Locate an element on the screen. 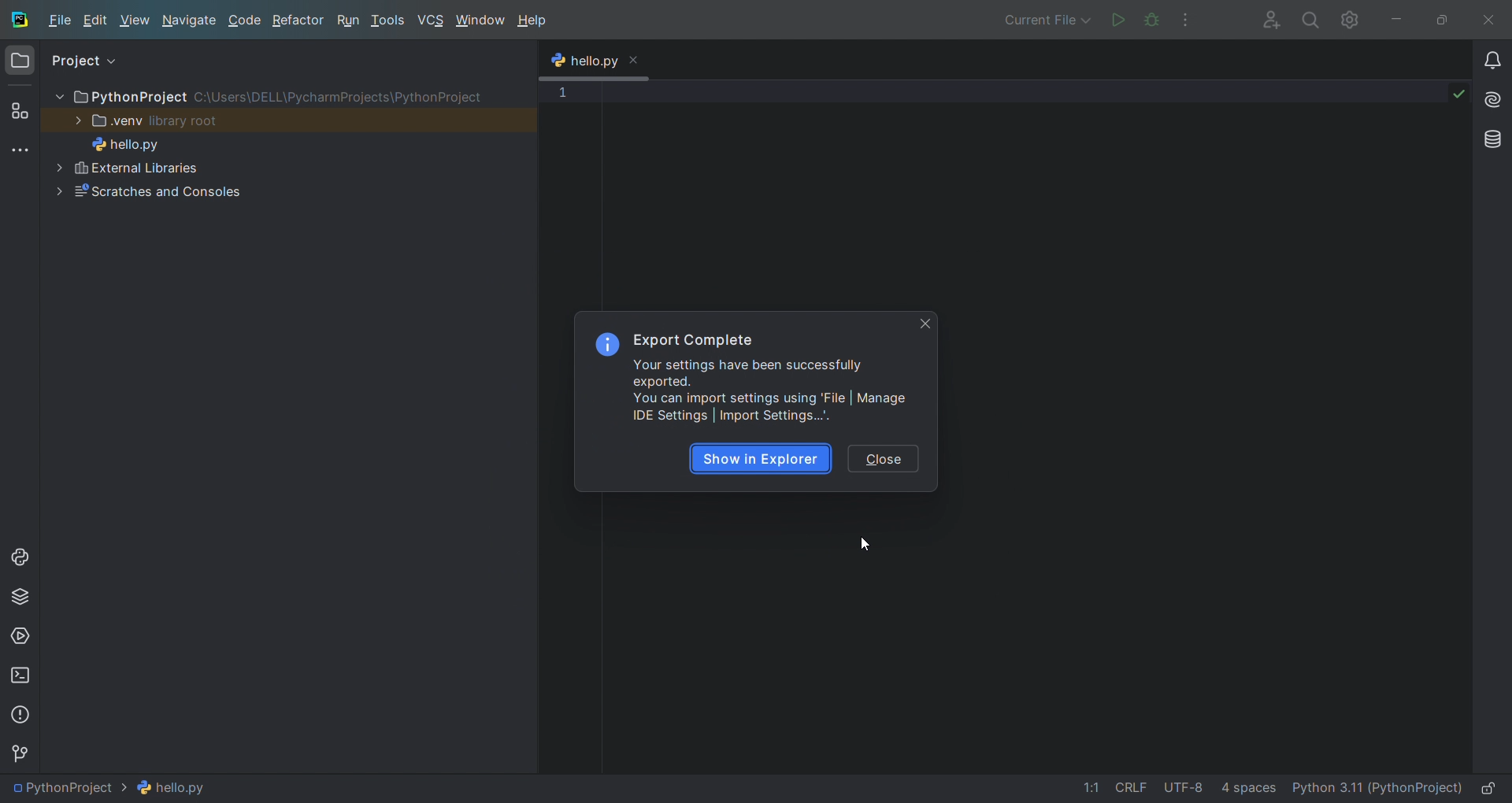 Image resolution: width=1512 pixels, height=803 pixels. tools is located at coordinates (389, 22).